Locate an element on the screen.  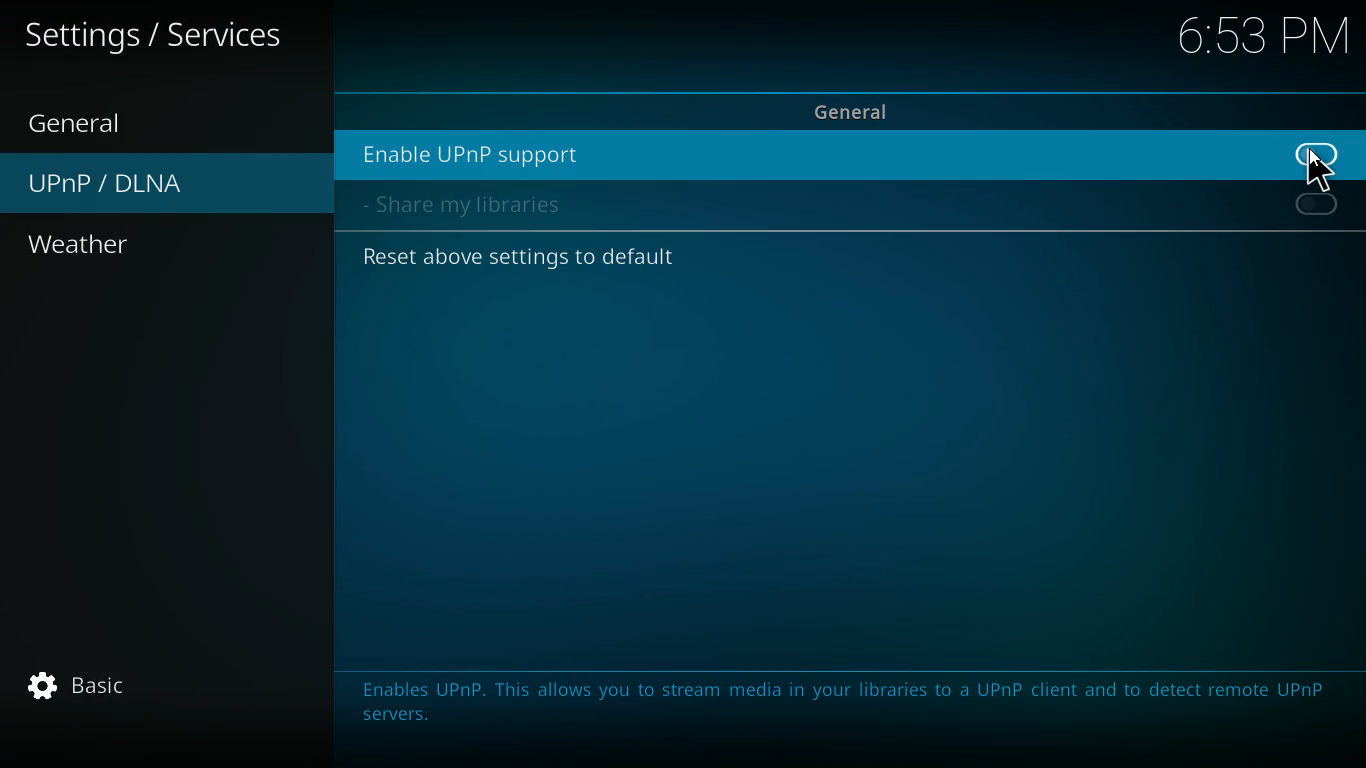
off is located at coordinates (1314, 206).